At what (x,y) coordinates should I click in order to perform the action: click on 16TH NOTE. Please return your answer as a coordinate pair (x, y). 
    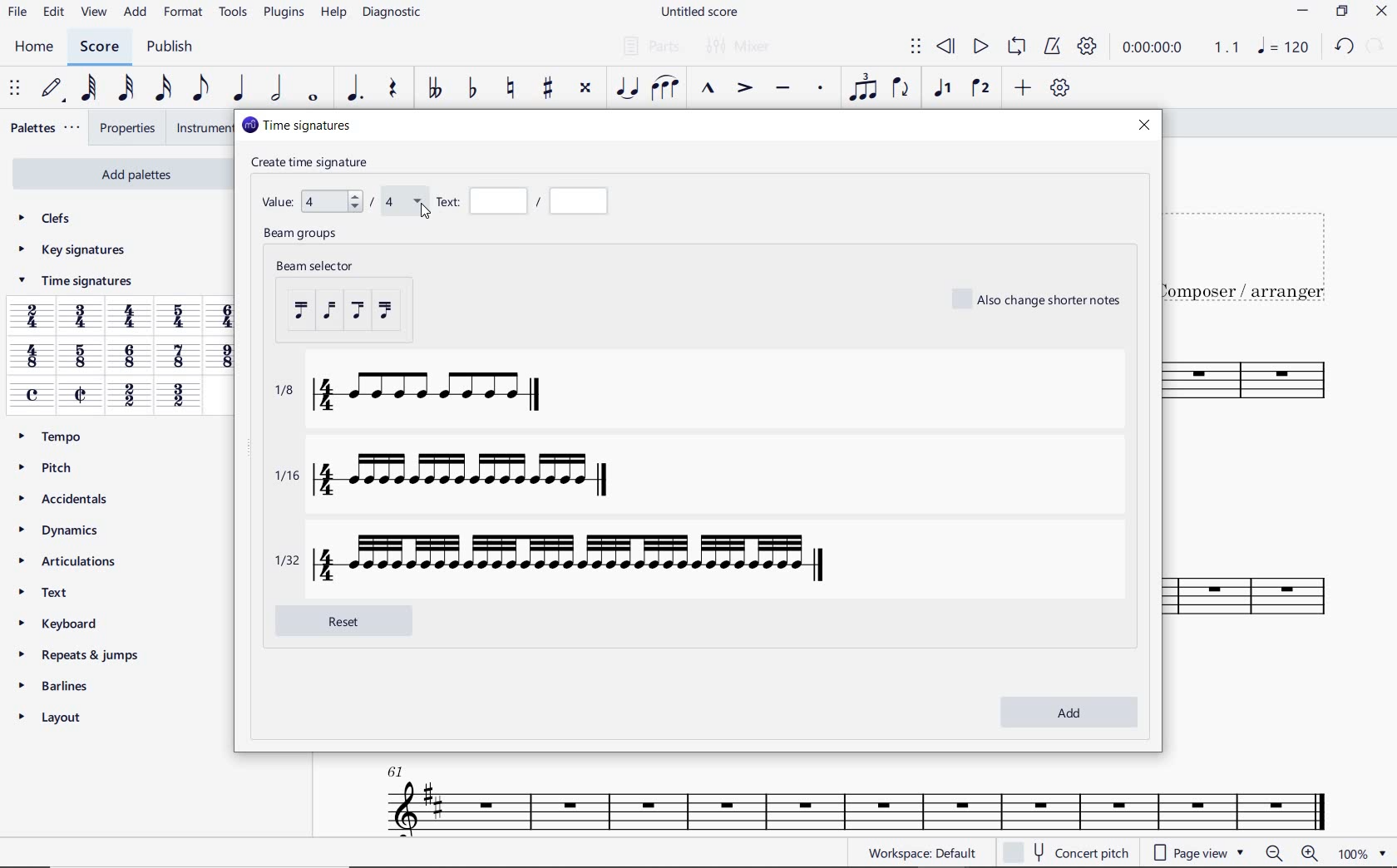
    Looking at the image, I should click on (160, 89).